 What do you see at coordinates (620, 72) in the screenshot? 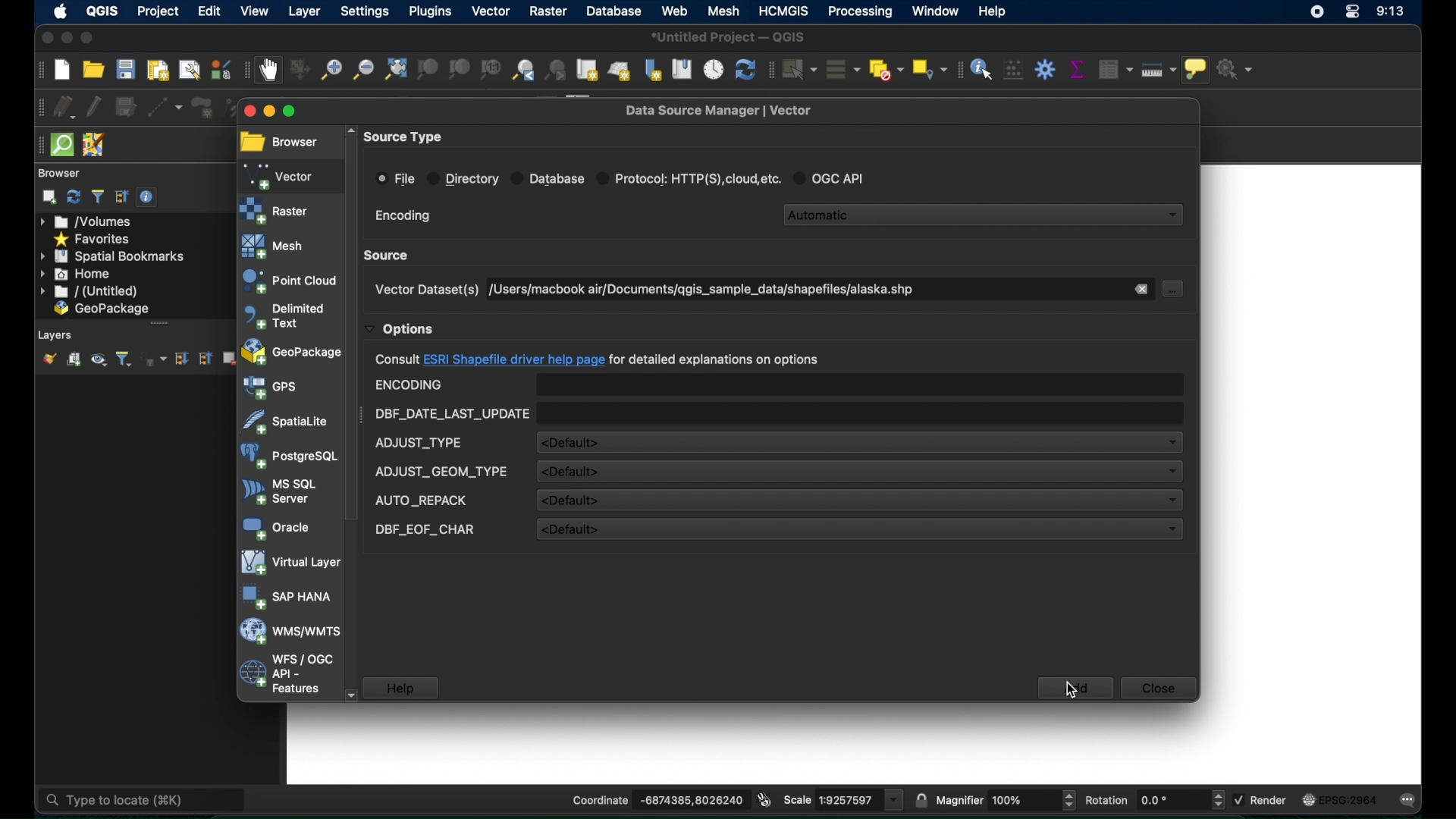
I see `new 3d map view` at bounding box center [620, 72].